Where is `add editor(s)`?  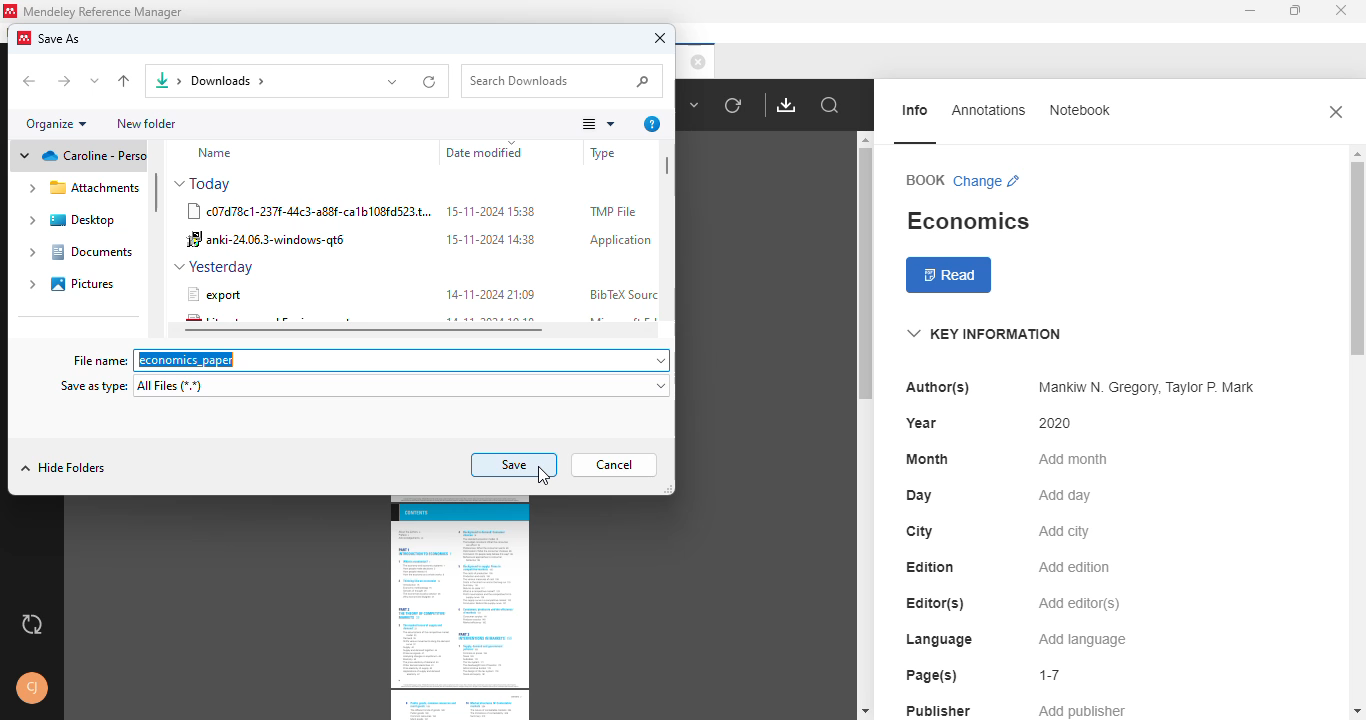
add editor(s) is located at coordinates (1080, 605).